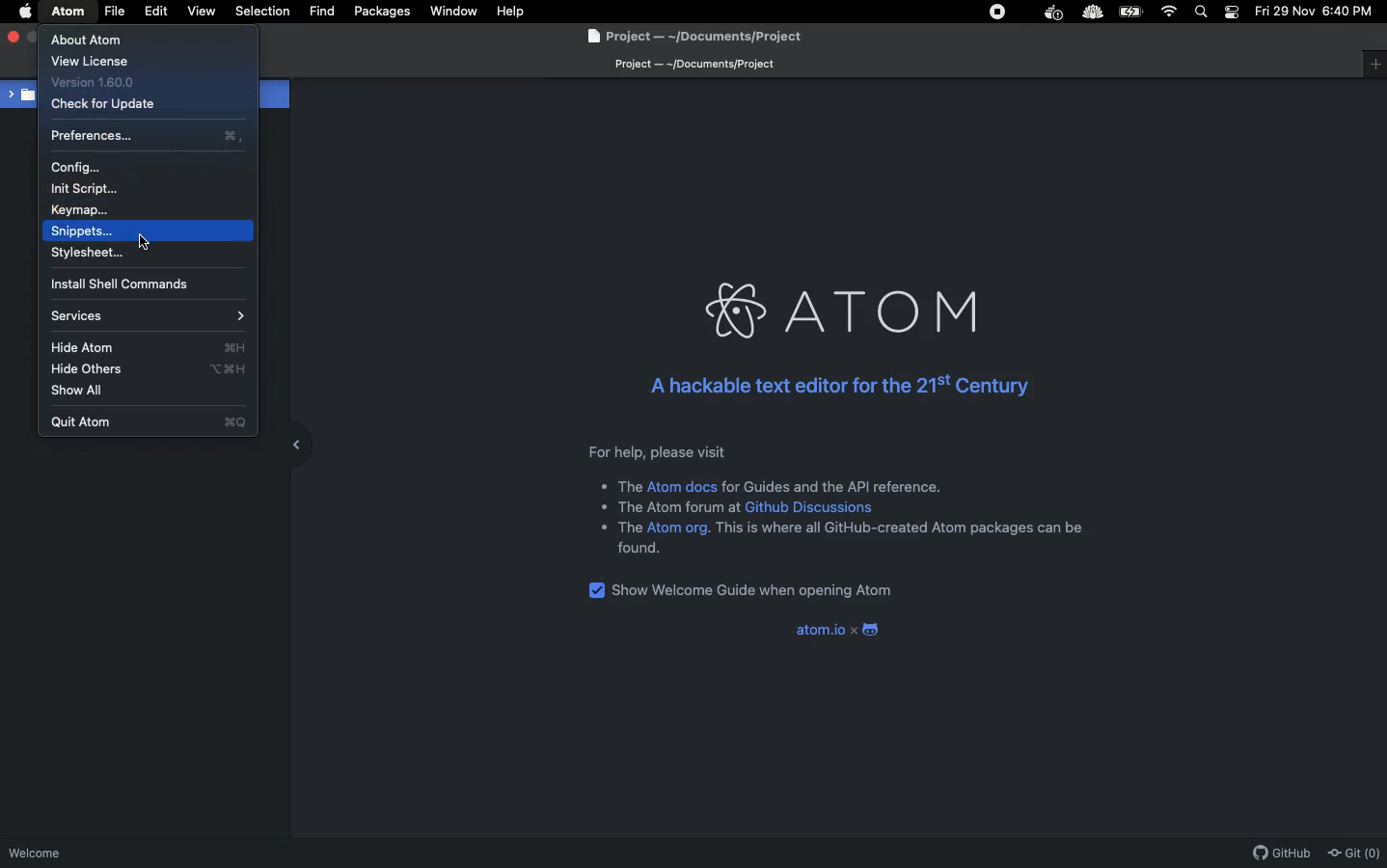 This screenshot has width=1387, height=868. What do you see at coordinates (904, 528) in the screenshot?
I see `description` at bounding box center [904, 528].